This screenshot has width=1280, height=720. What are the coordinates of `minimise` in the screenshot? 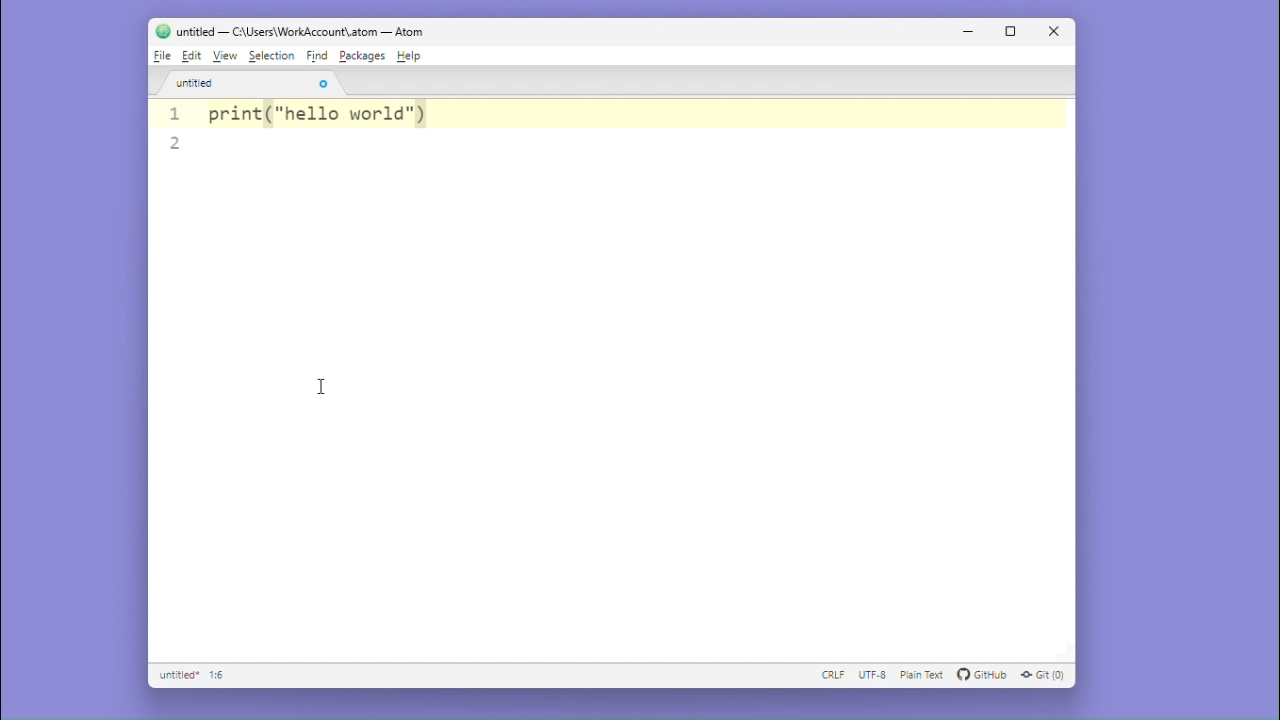 It's located at (975, 30).